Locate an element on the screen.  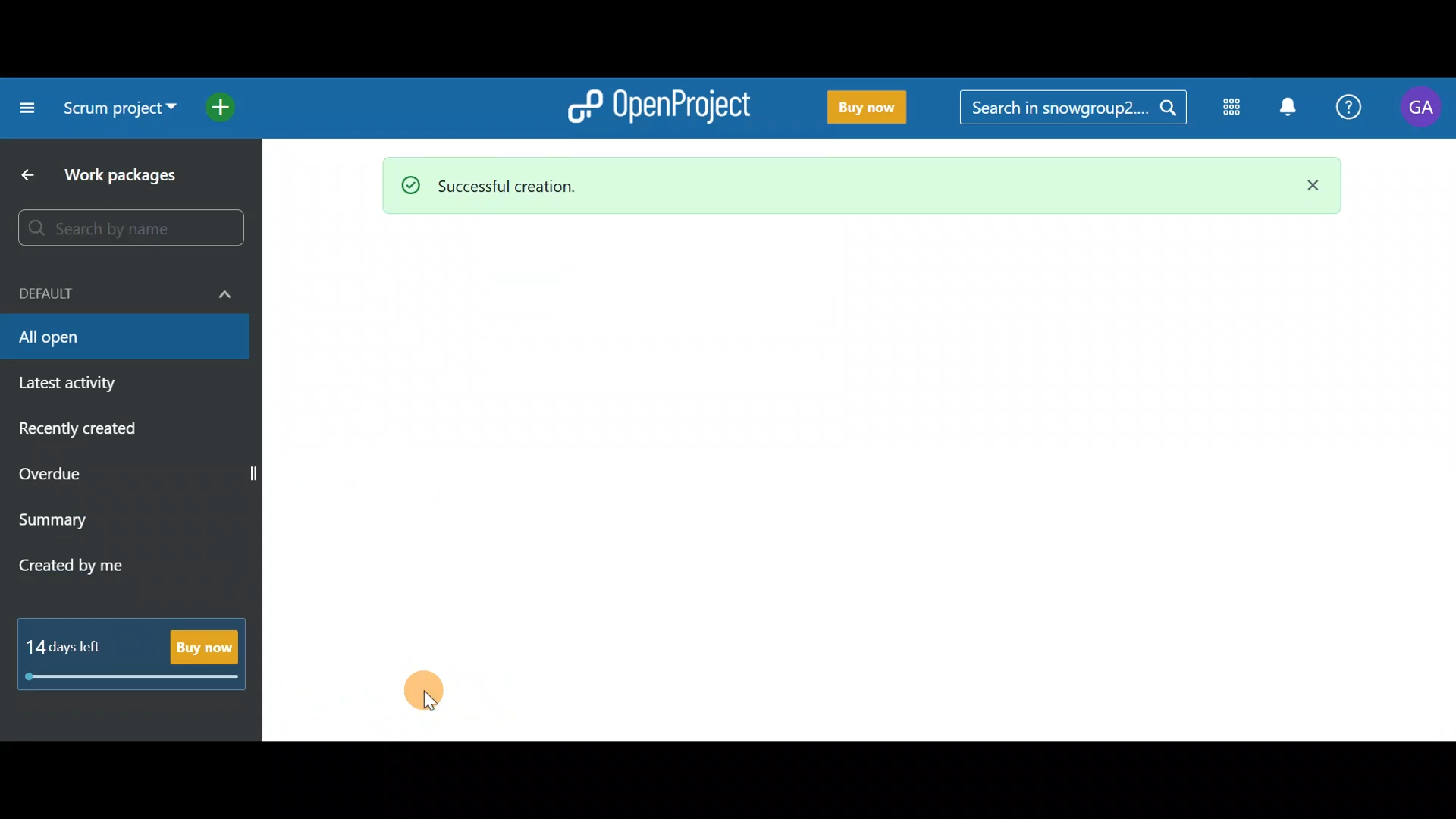
All open is located at coordinates (126, 339).